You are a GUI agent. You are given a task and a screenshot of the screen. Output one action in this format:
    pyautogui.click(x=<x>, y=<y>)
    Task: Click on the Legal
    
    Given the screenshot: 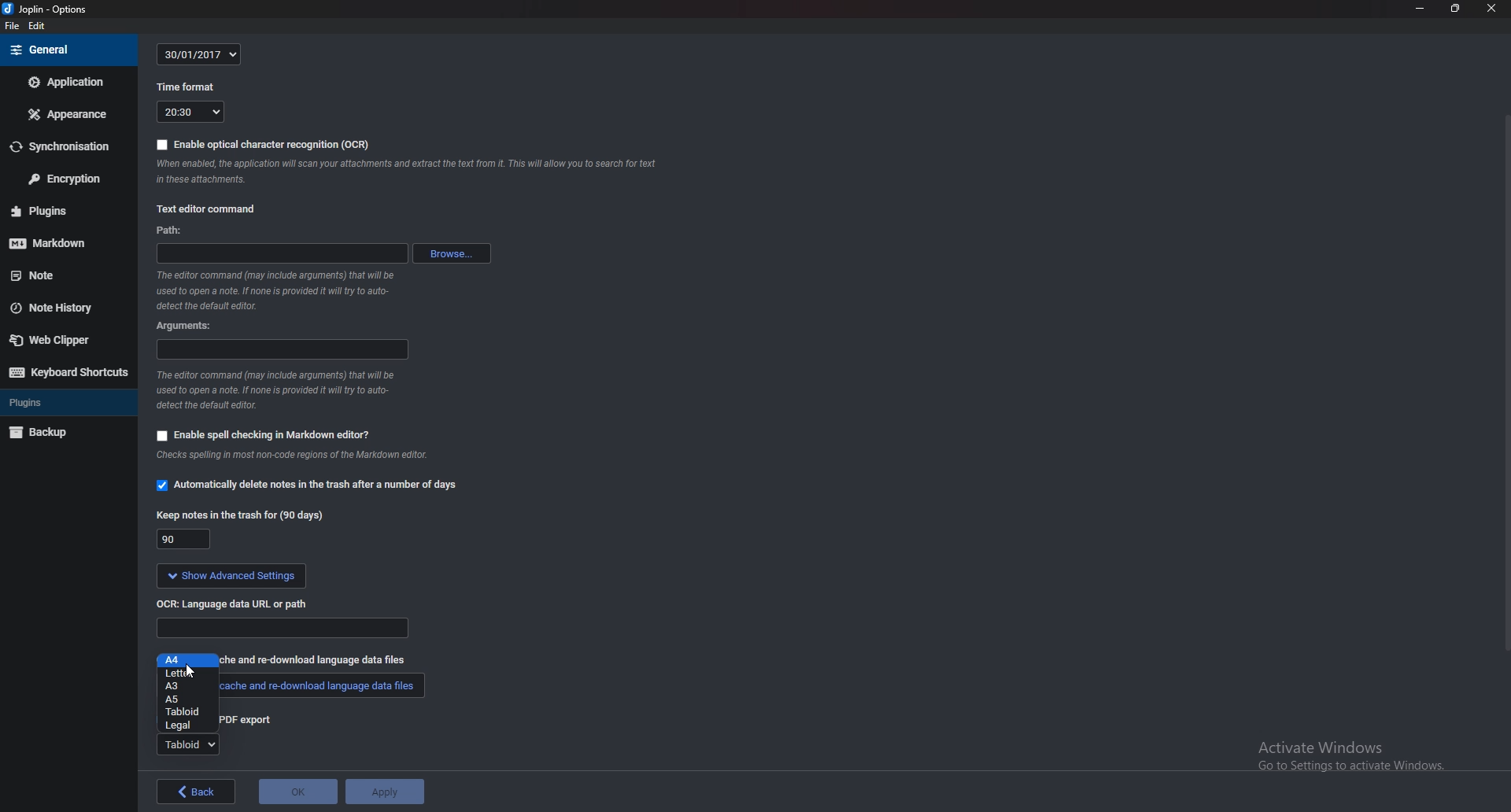 What is the action you would take?
    pyautogui.click(x=187, y=726)
    